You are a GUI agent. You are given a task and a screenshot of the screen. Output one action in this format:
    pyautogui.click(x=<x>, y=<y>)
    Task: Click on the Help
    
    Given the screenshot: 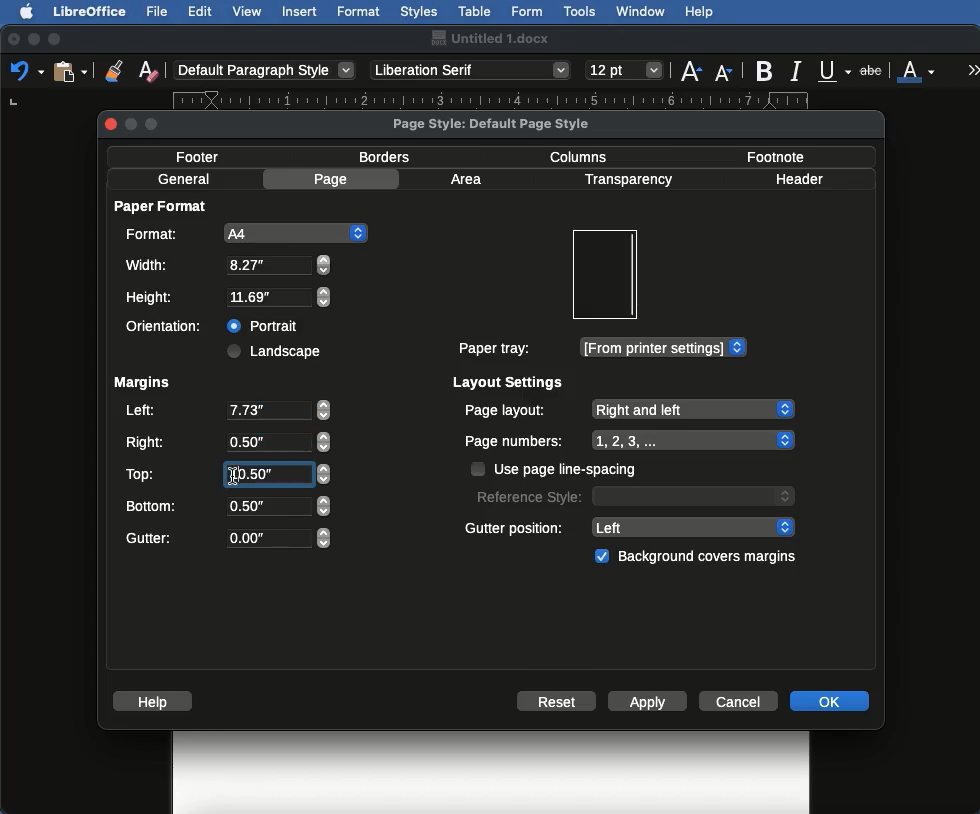 What is the action you would take?
    pyautogui.click(x=699, y=12)
    